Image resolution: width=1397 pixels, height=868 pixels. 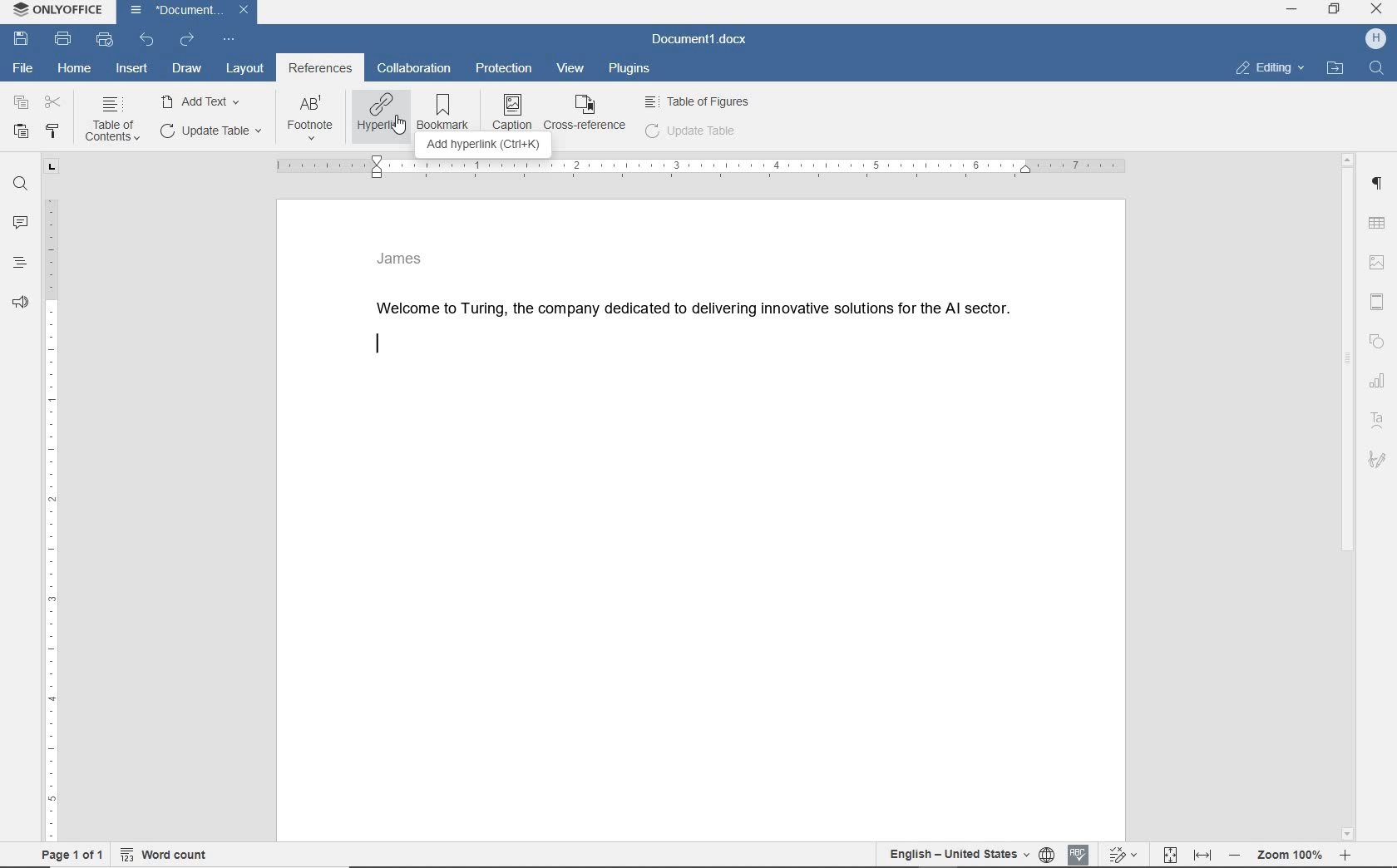 What do you see at coordinates (1047, 856) in the screenshot?
I see `set document language` at bounding box center [1047, 856].